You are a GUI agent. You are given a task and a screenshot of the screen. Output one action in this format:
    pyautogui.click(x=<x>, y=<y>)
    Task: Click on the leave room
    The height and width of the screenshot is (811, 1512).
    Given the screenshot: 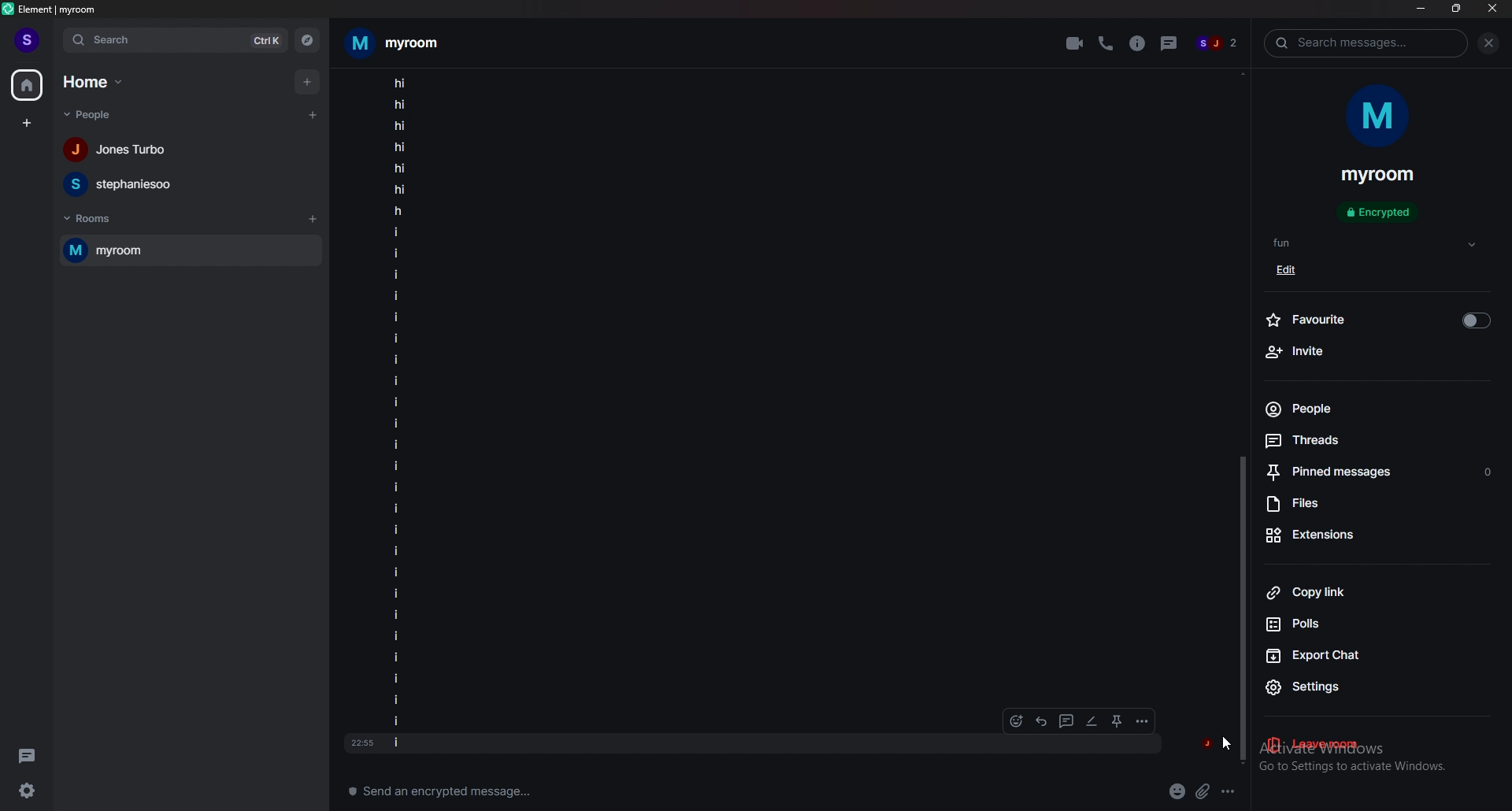 What is the action you would take?
    pyautogui.click(x=1343, y=744)
    